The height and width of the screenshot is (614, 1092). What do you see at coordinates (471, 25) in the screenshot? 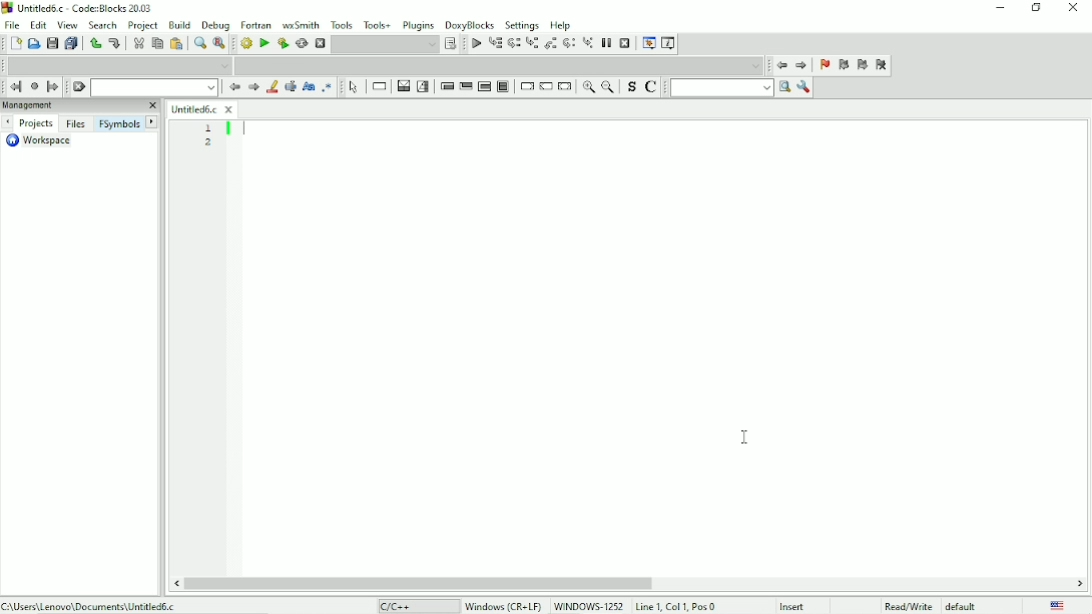
I see `DoxyBlocks` at bounding box center [471, 25].